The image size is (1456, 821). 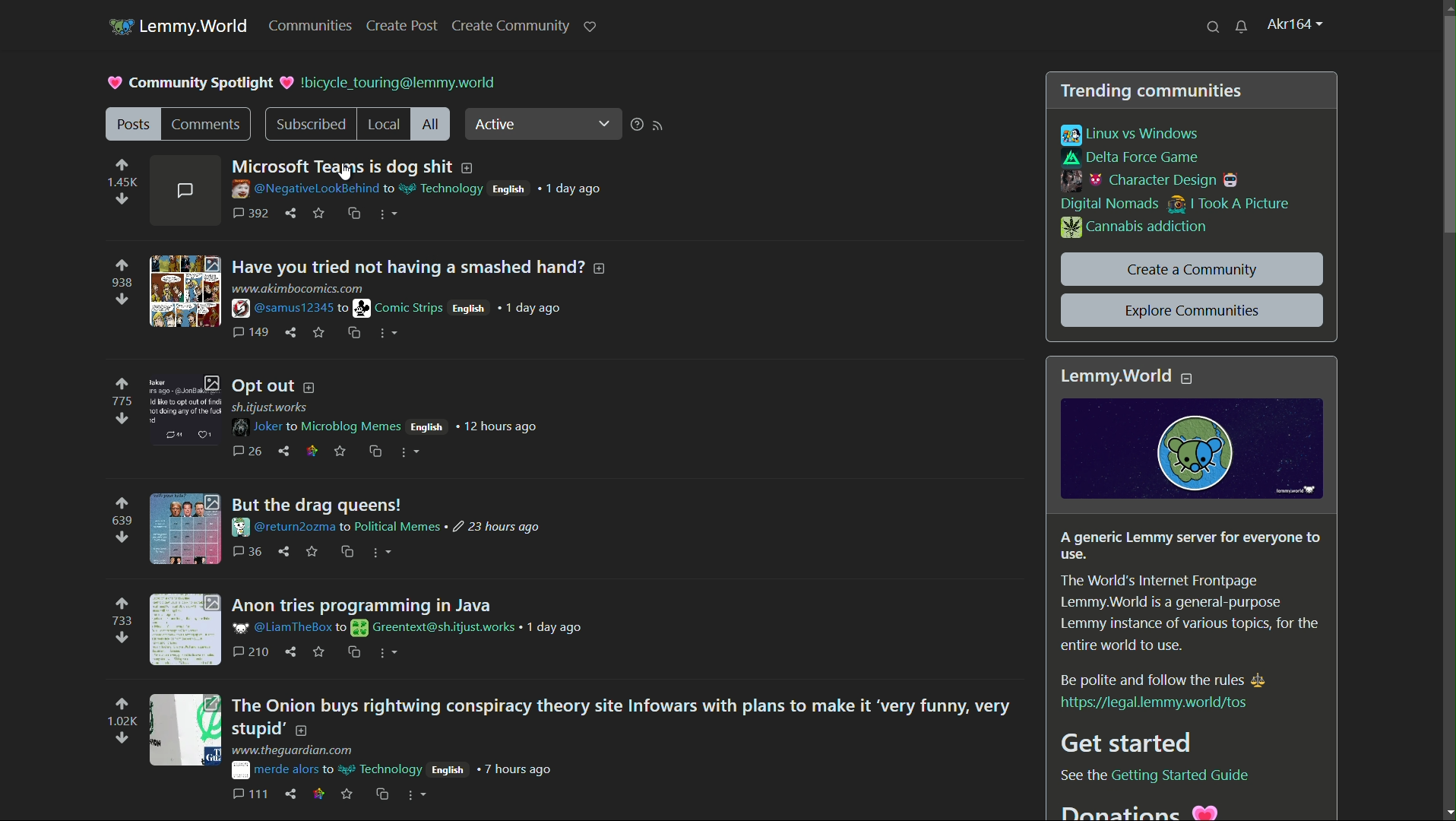 What do you see at coordinates (1214, 26) in the screenshot?
I see `search` at bounding box center [1214, 26].